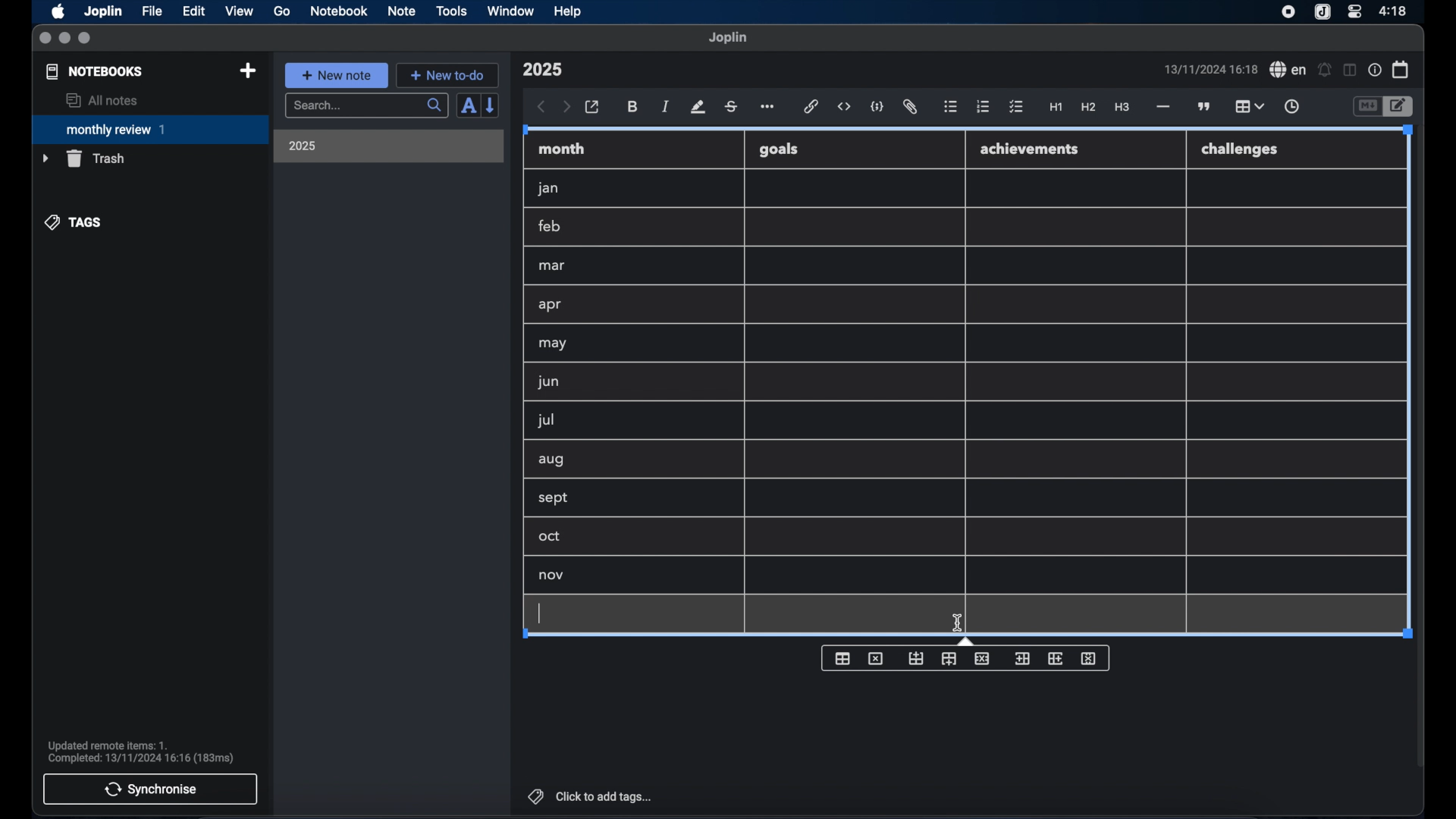  What do you see at coordinates (451, 11) in the screenshot?
I see `tools` at bounding box center [451, 11].